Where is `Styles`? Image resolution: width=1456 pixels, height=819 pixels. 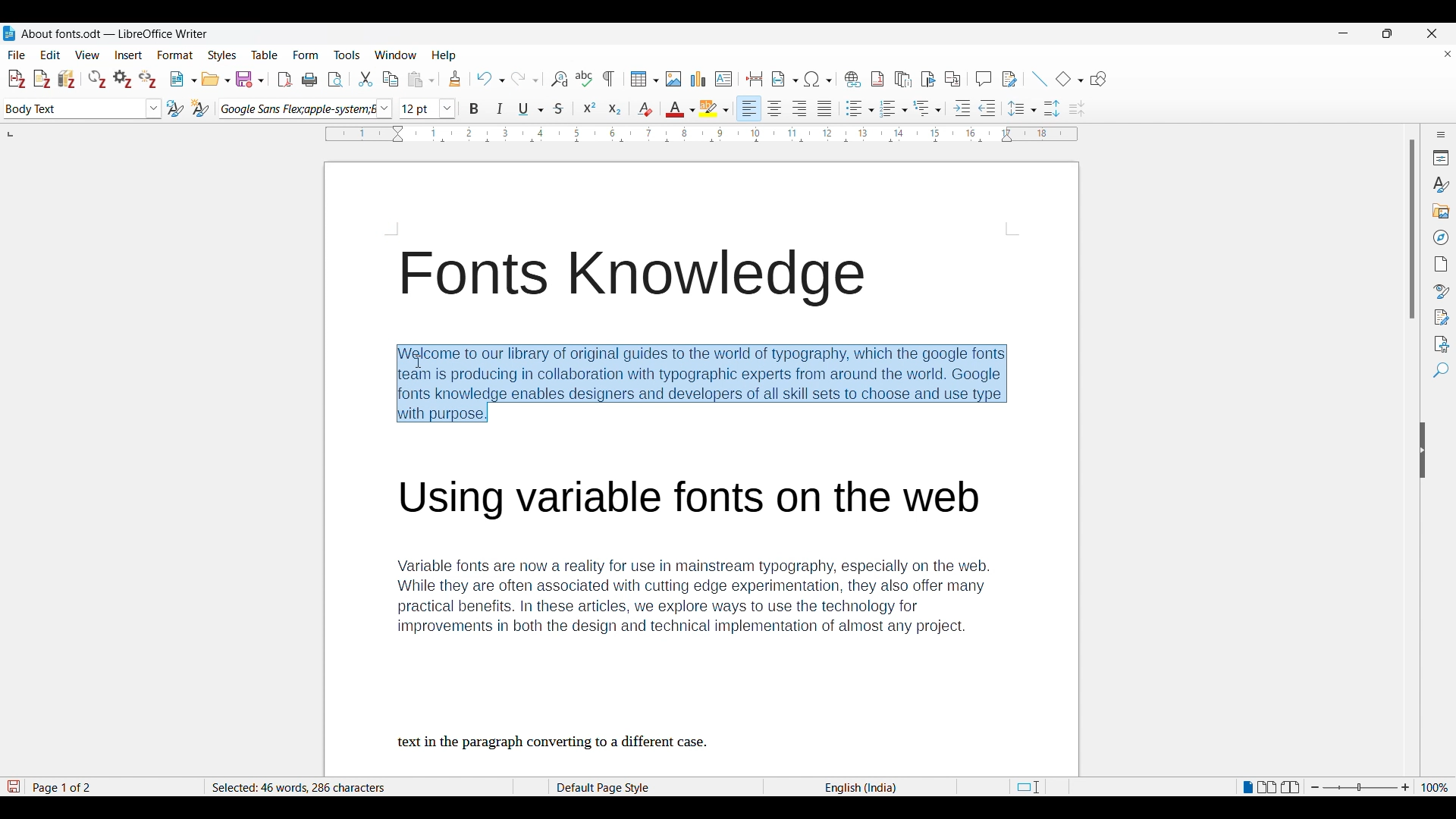 Styles is located at coordinates (1440, 185).